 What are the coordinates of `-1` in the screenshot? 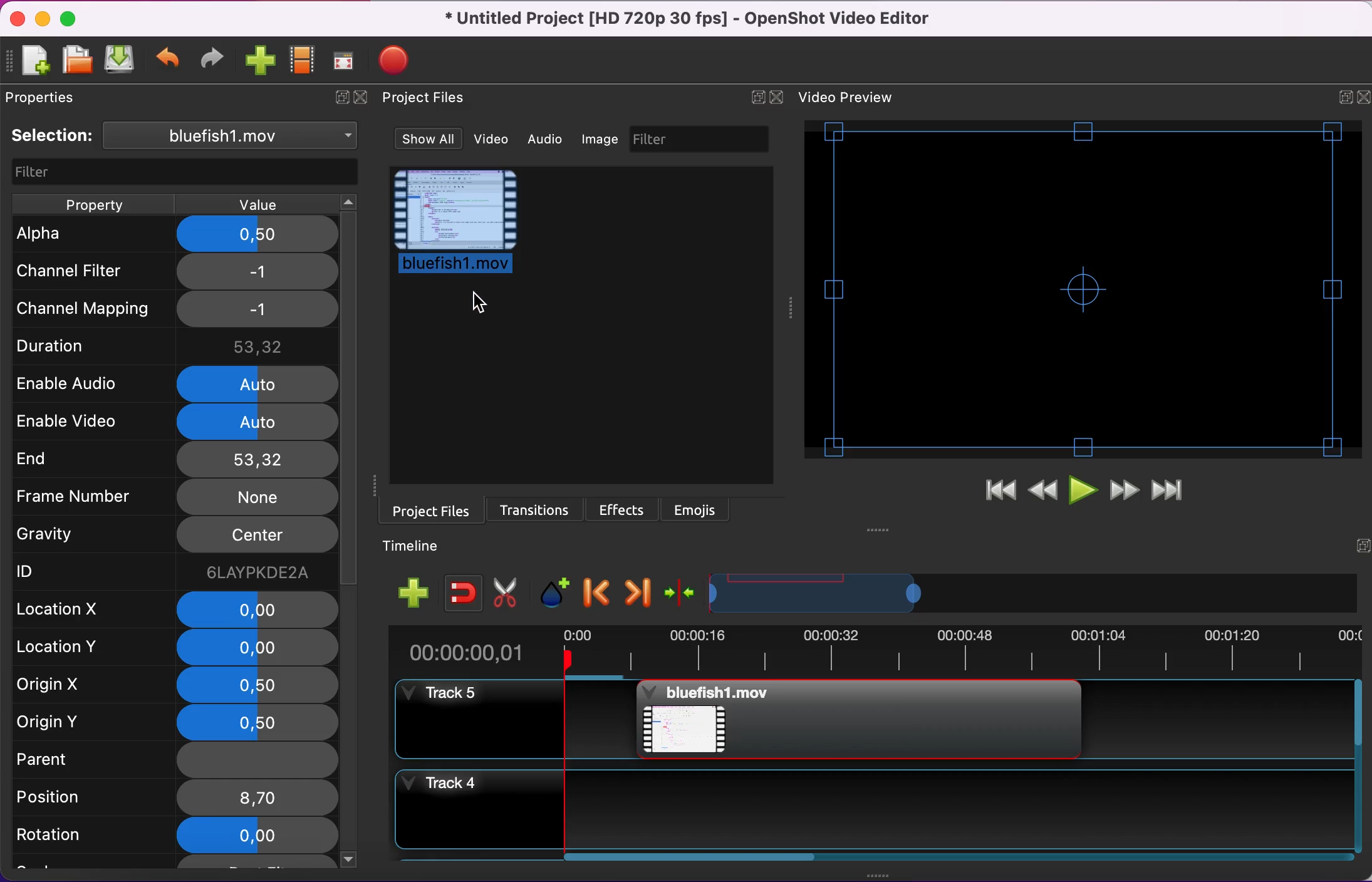 It's located at (257, 272).